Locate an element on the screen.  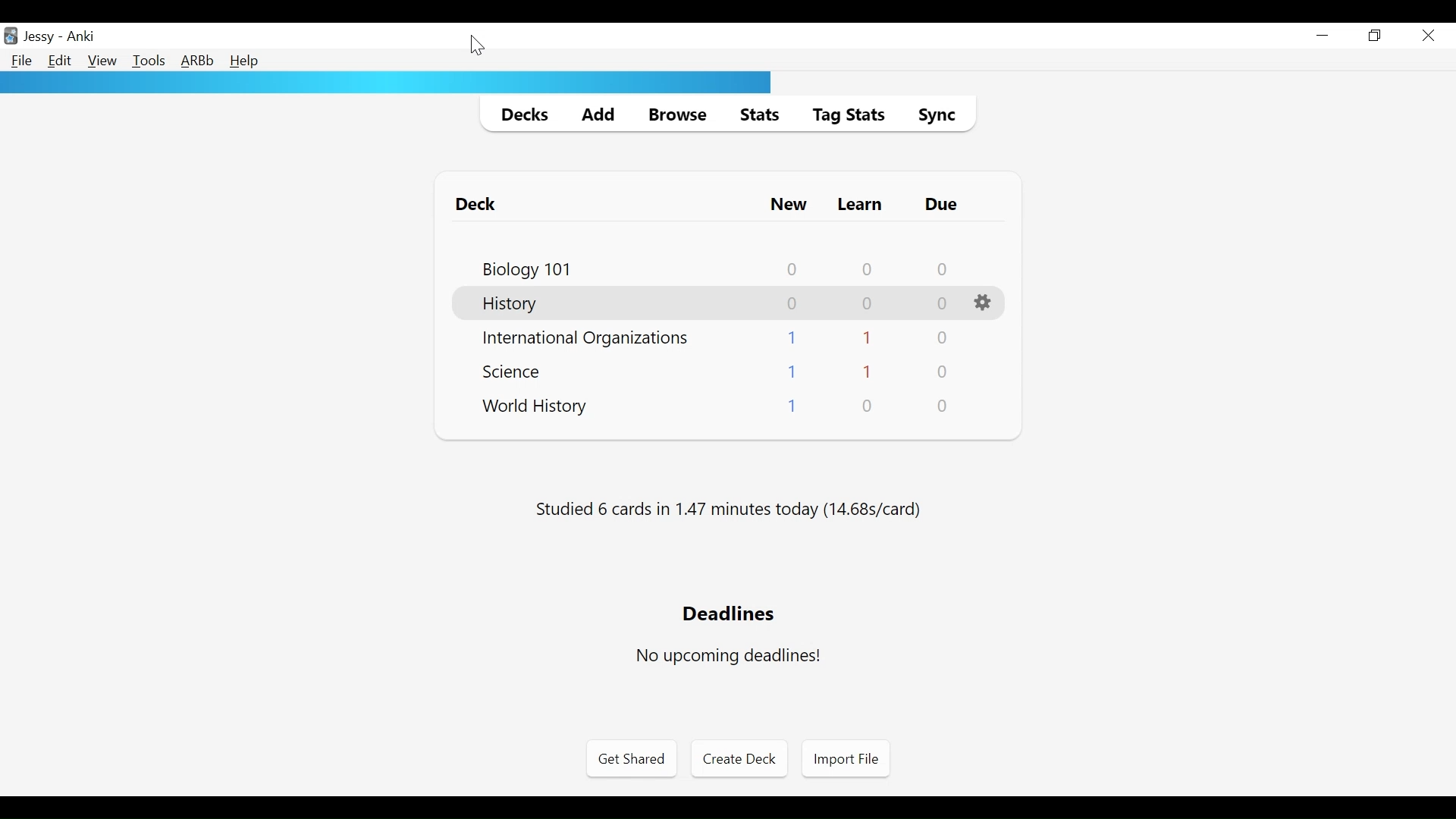
Help is located at coordinates (247, 61).